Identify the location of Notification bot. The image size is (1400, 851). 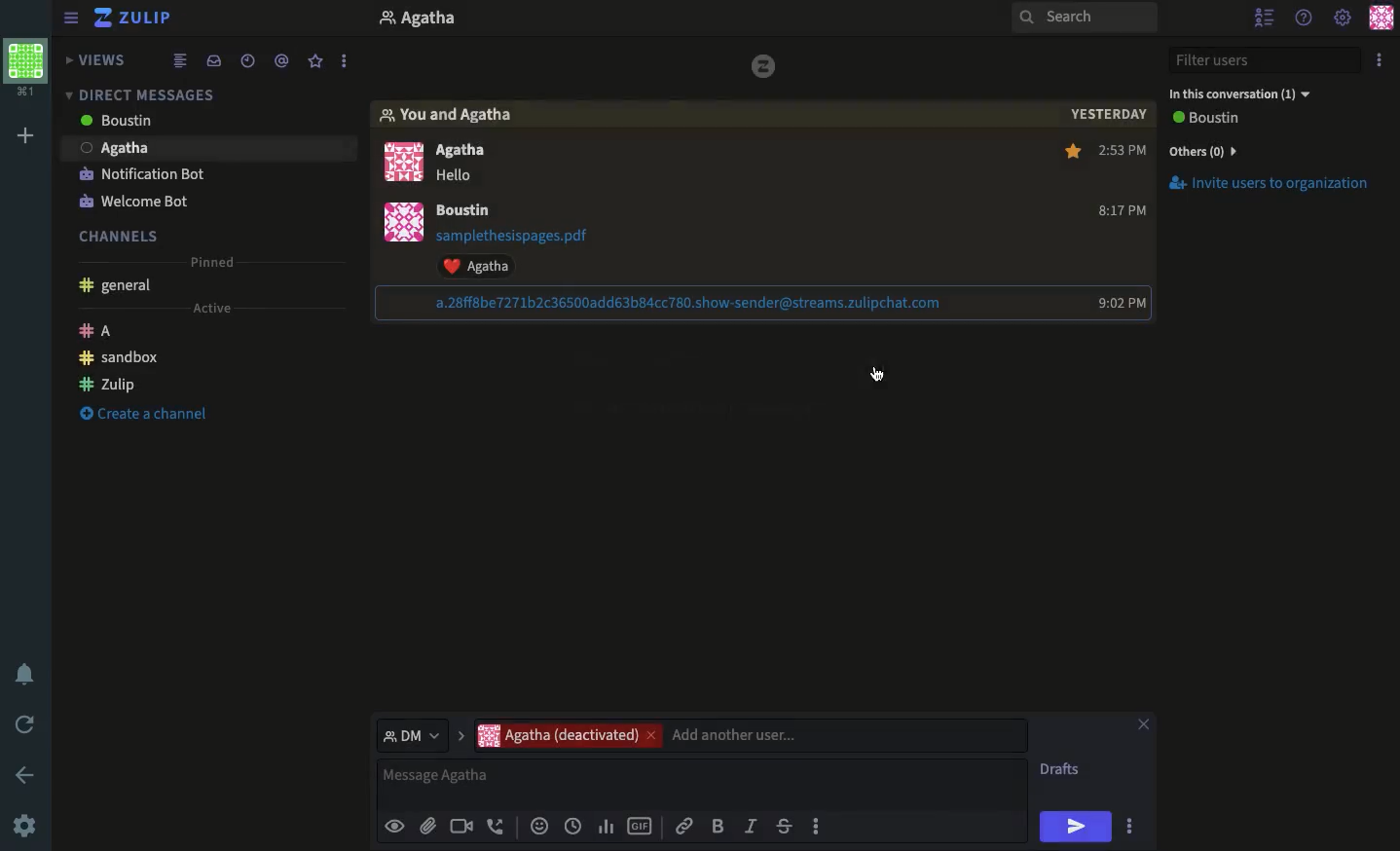
(142, 176).